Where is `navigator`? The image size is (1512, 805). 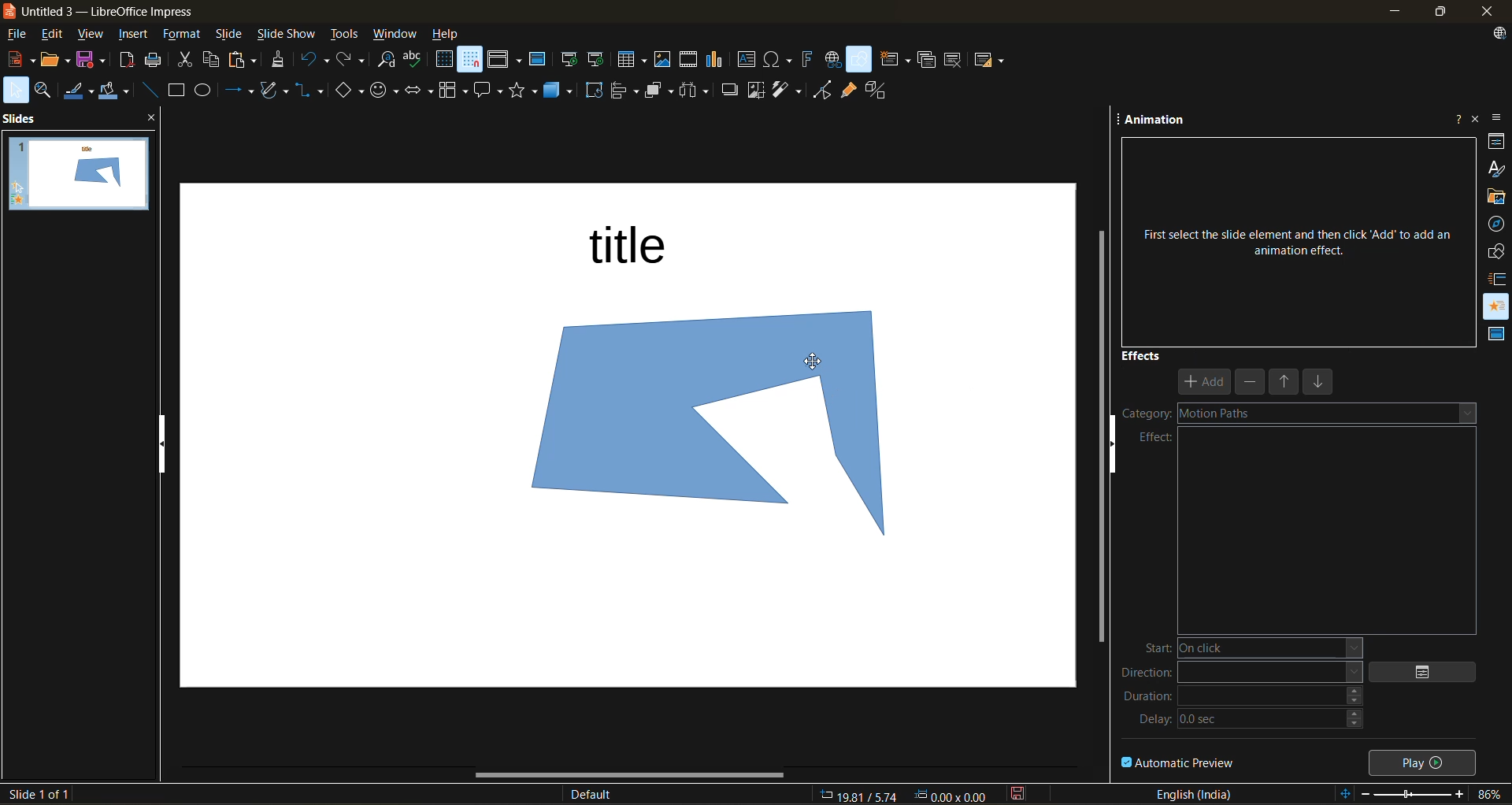 navigator is located at coordinates (1499, 224).